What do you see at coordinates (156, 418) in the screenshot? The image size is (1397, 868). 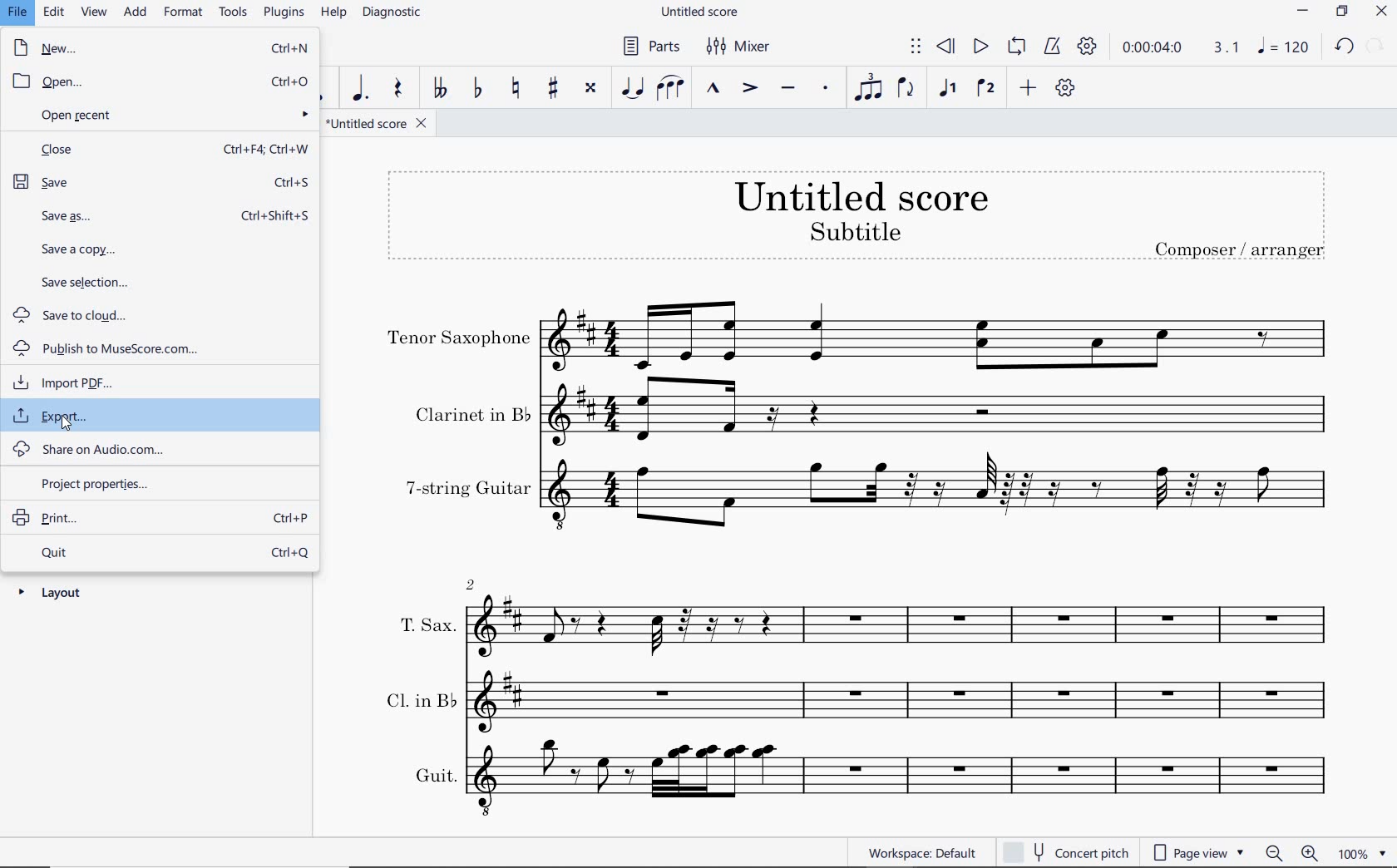 I see `export` at bounding box center [156, 418].